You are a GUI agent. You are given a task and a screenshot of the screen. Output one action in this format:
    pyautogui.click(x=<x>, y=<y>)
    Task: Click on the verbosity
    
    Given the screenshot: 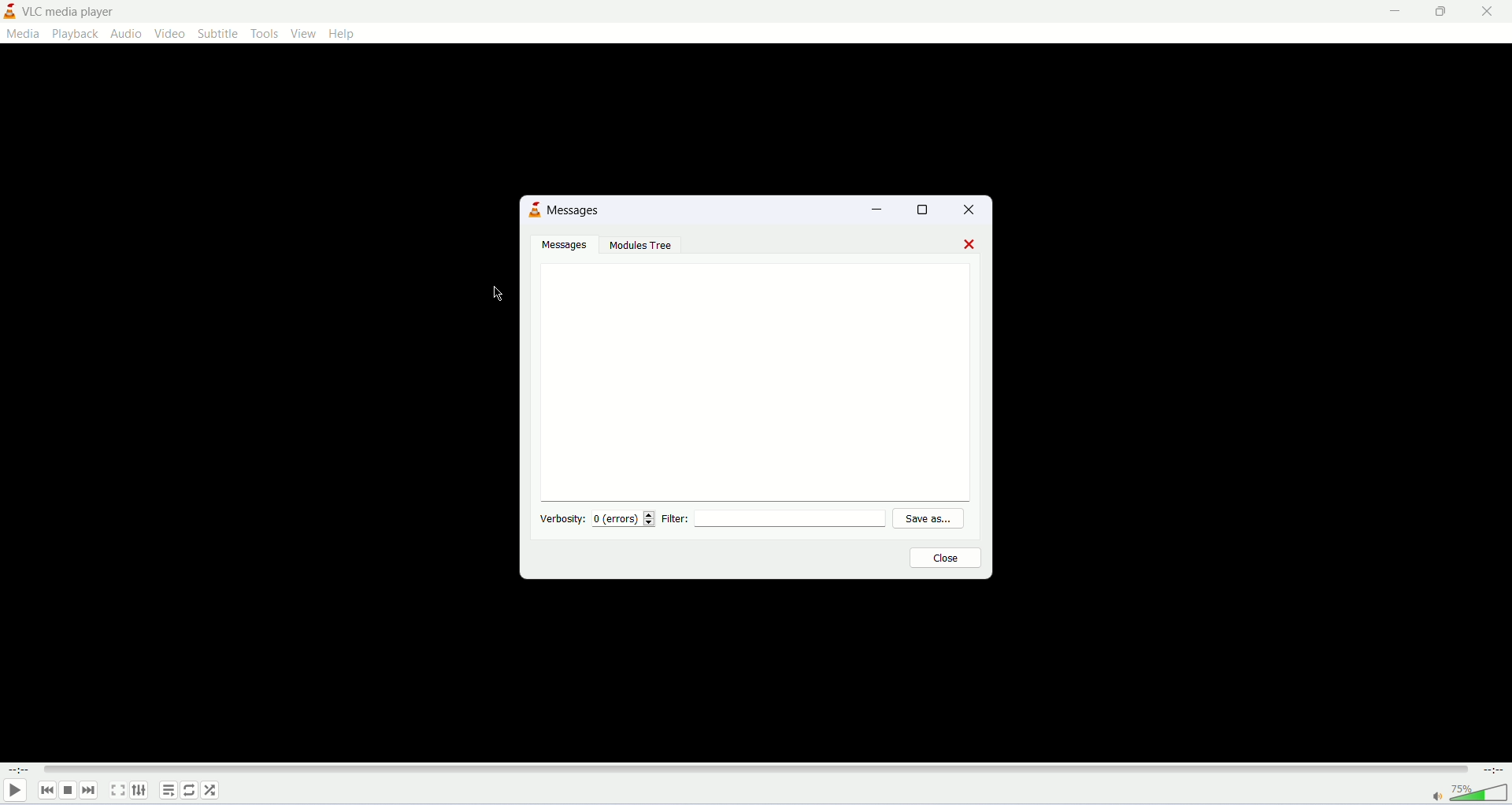 What is the action you would take?
    pyautogui.click(x=560, y=519)
    